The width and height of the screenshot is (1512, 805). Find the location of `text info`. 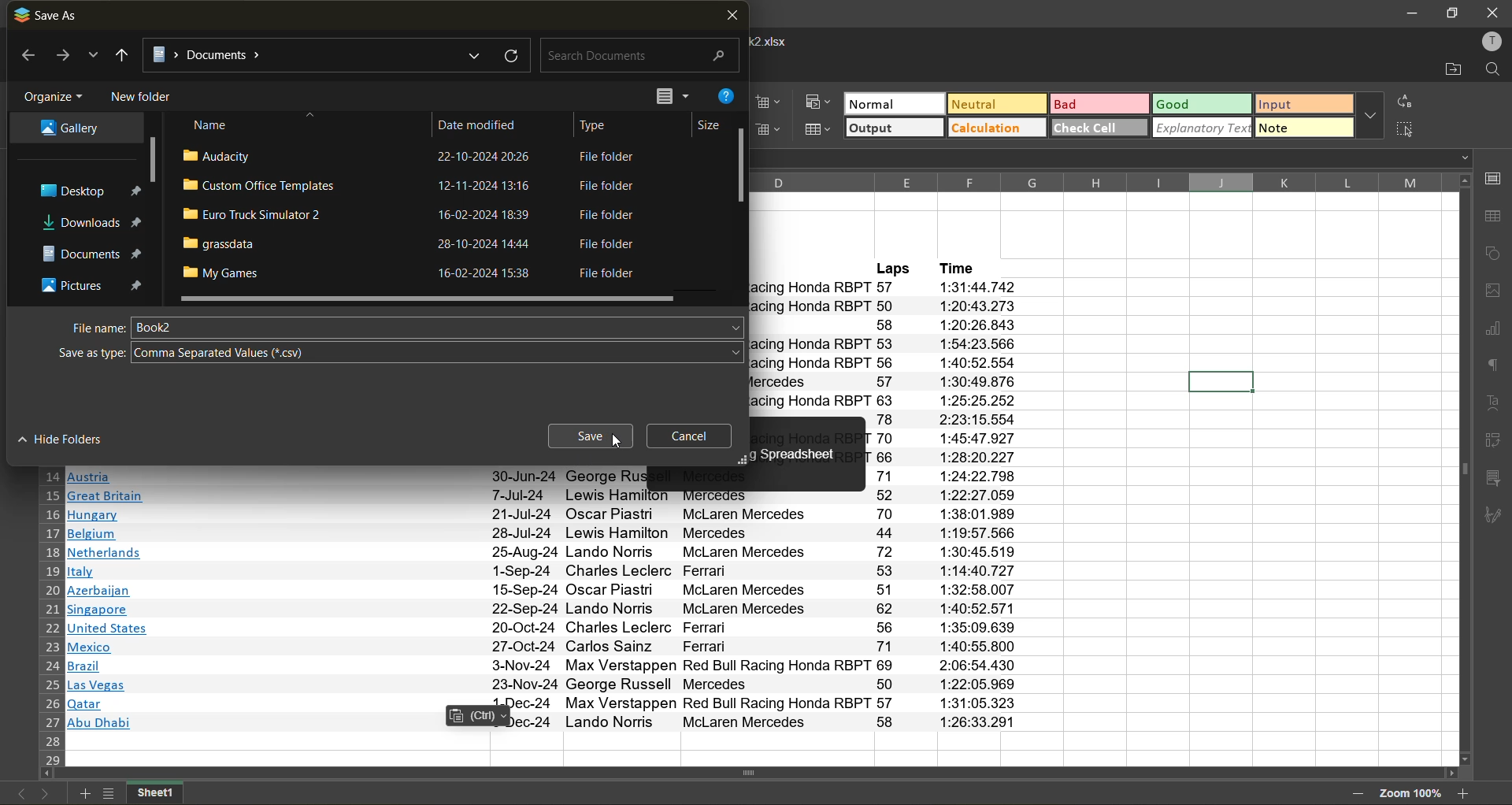

text info is located at coordinates (549, 647).